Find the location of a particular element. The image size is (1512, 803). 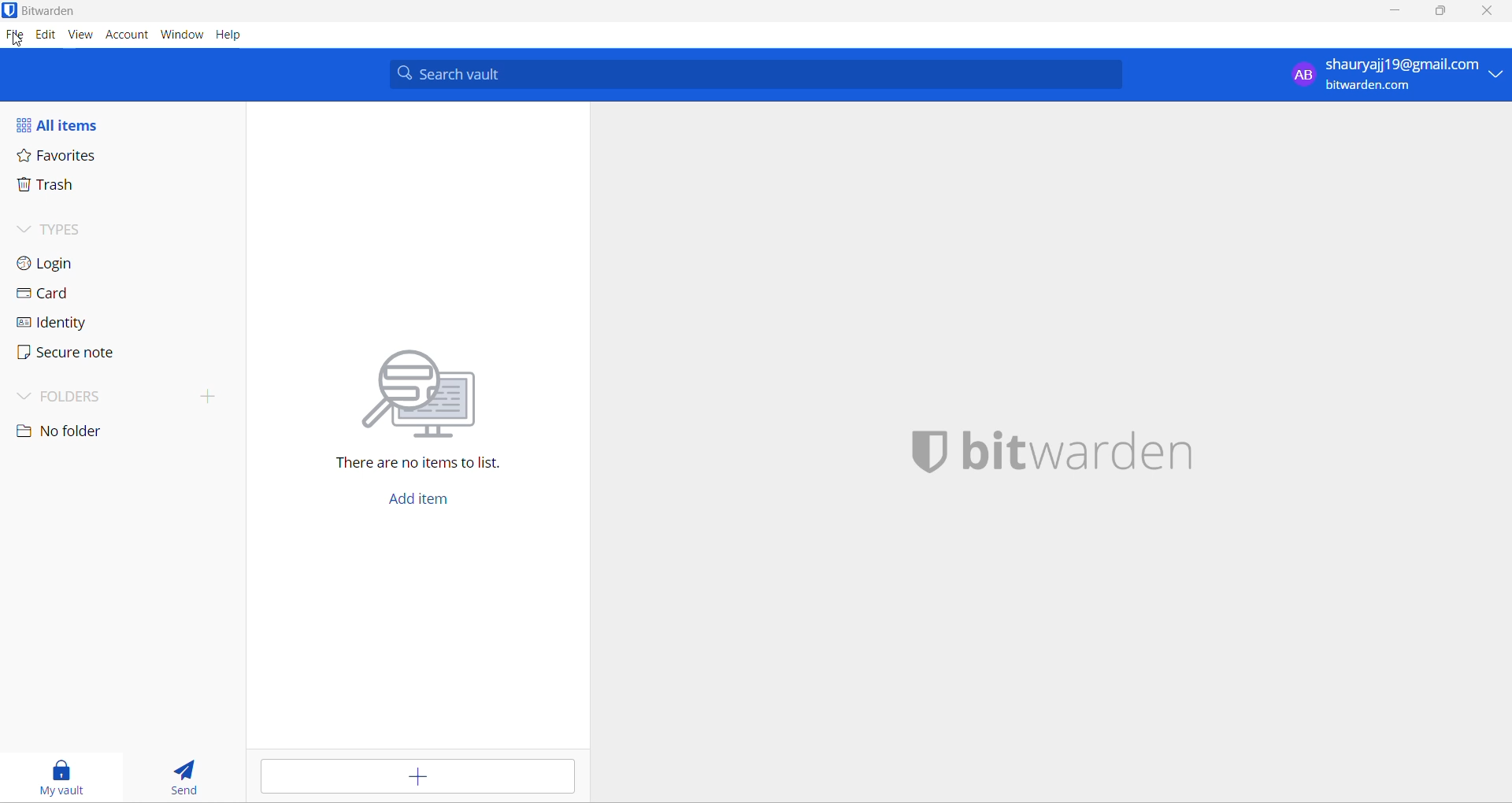

folder is located at coordinates (120, 398).